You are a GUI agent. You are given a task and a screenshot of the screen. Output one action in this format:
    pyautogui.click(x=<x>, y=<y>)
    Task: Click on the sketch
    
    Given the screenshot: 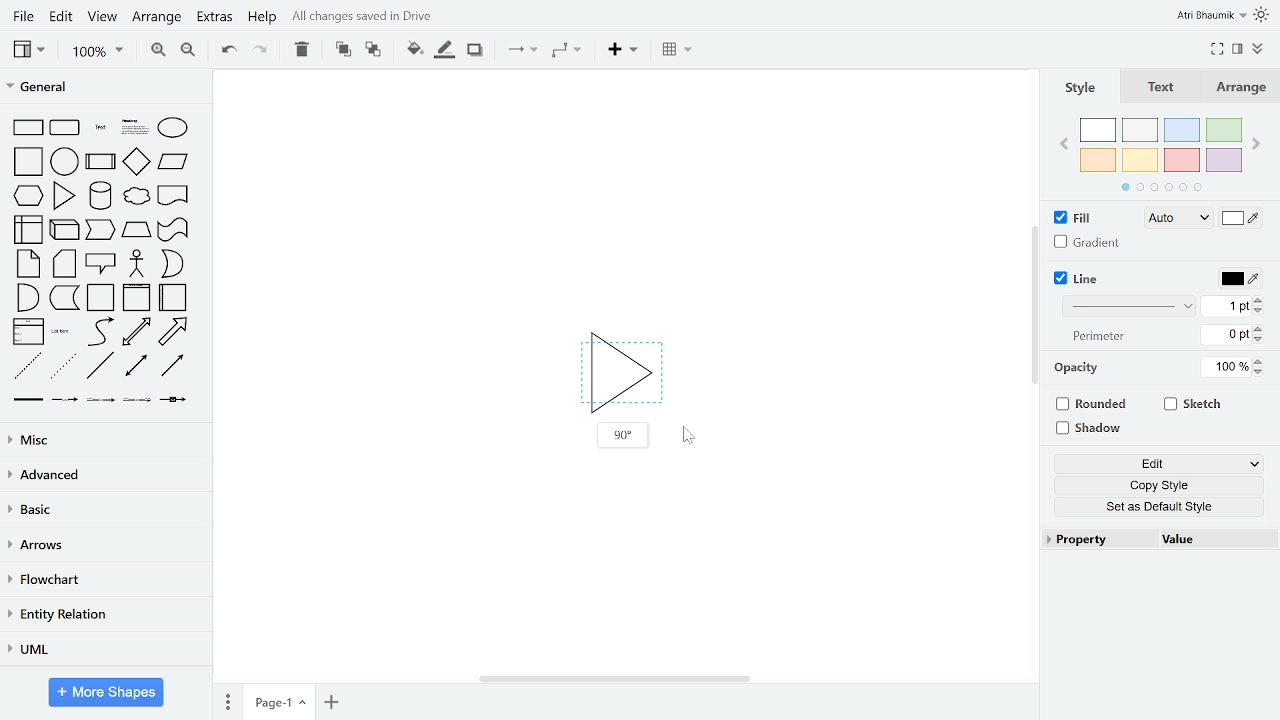 What is the action you would take?
    pyautogui.click(x=1194, y=406)
    